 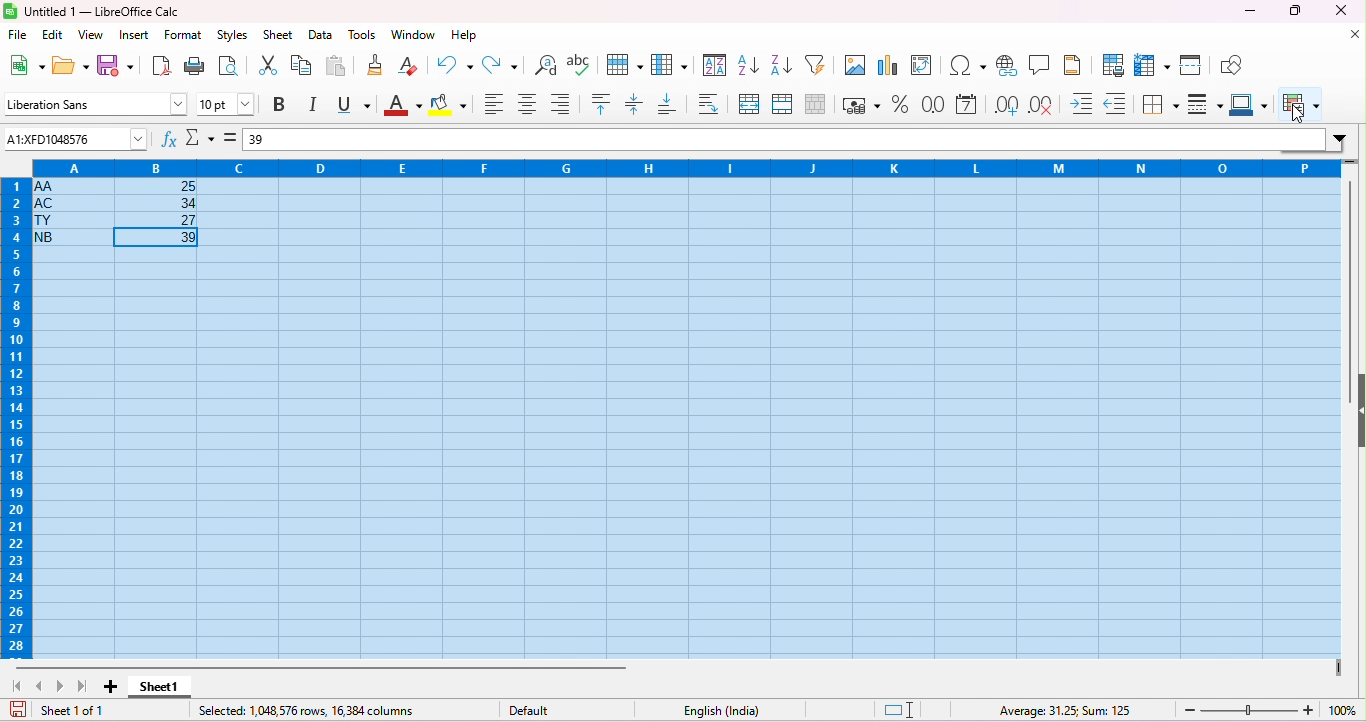 What do you see at coordinates (668, 104) in the screenshot?
I see `align bottom` at bounding box center [668, 104].